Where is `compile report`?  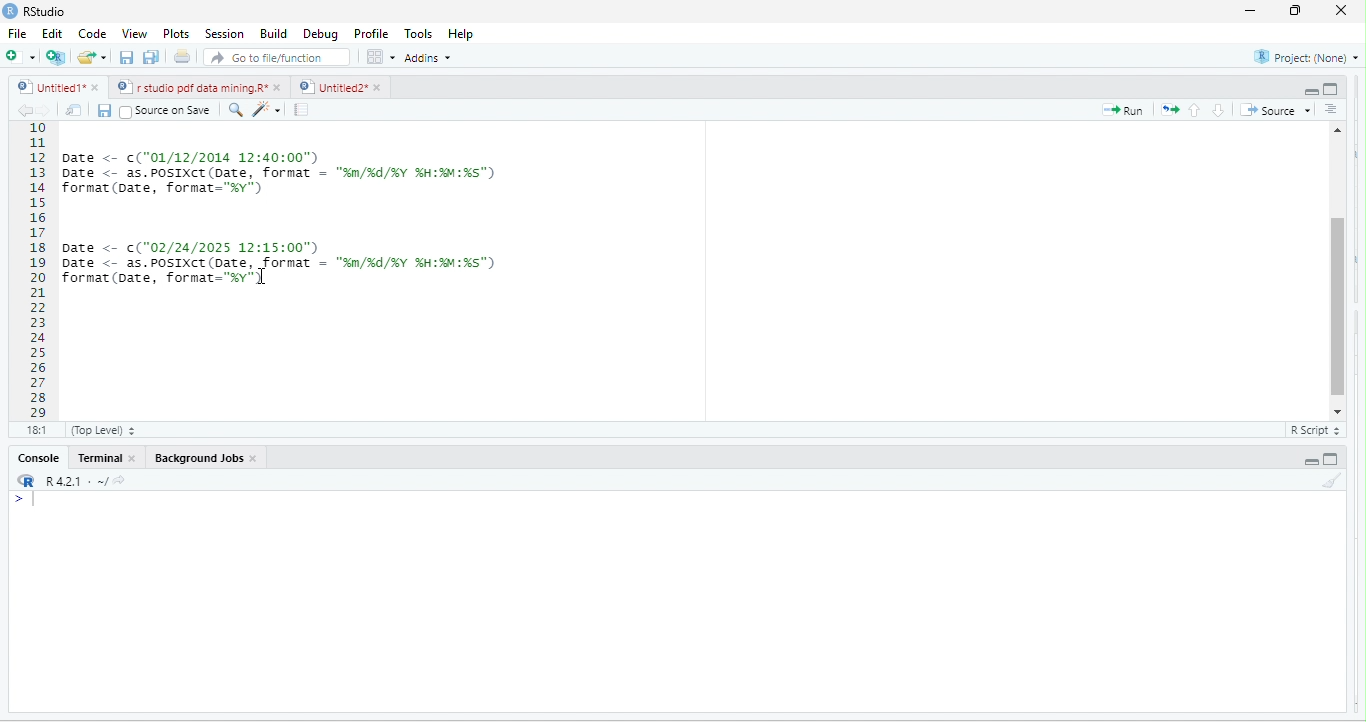
compile report is located at coordinates (304, 109).